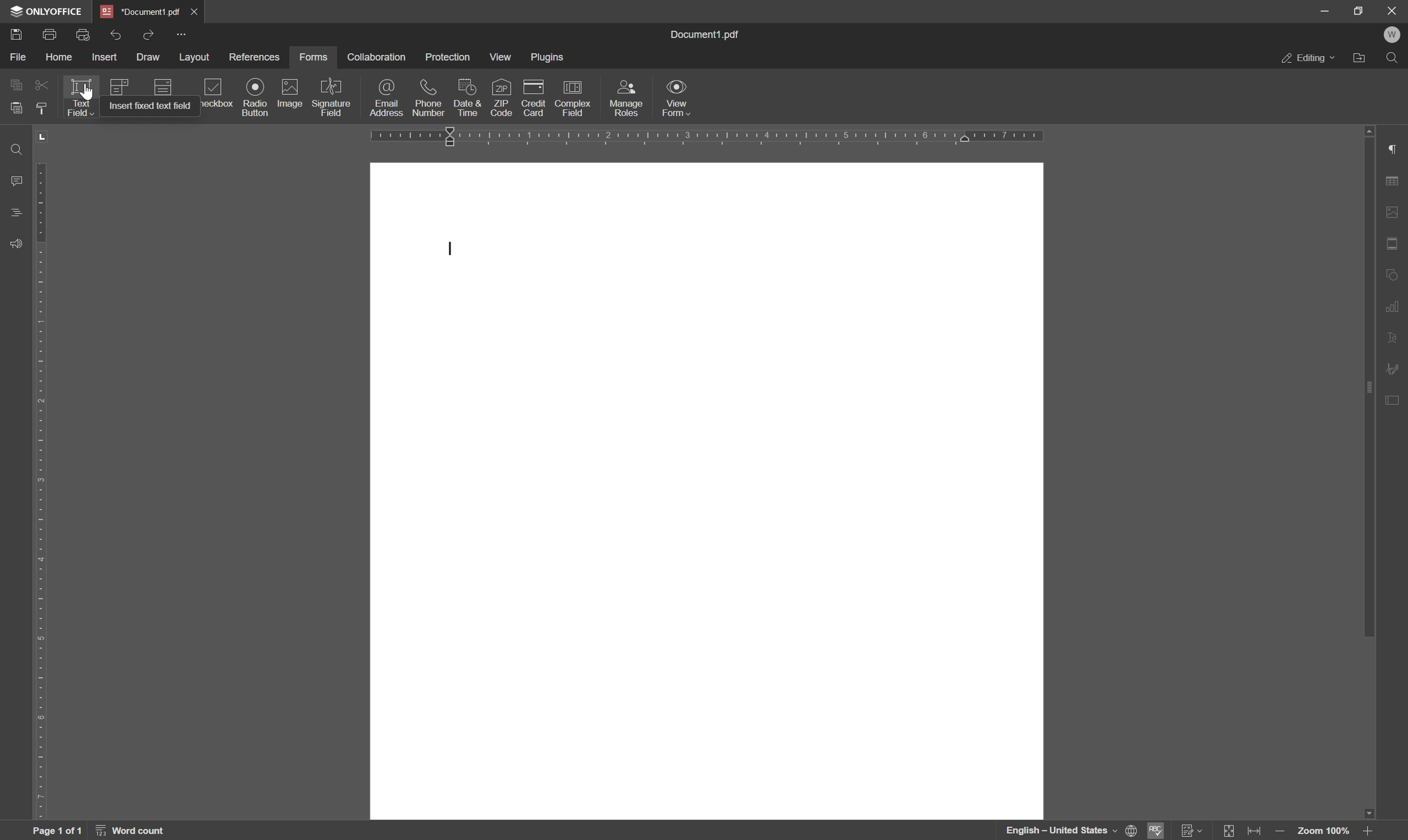  What do you see at coordinates (52, 36) in the screenshot?
I see `print` at bounding box center [52, 36].